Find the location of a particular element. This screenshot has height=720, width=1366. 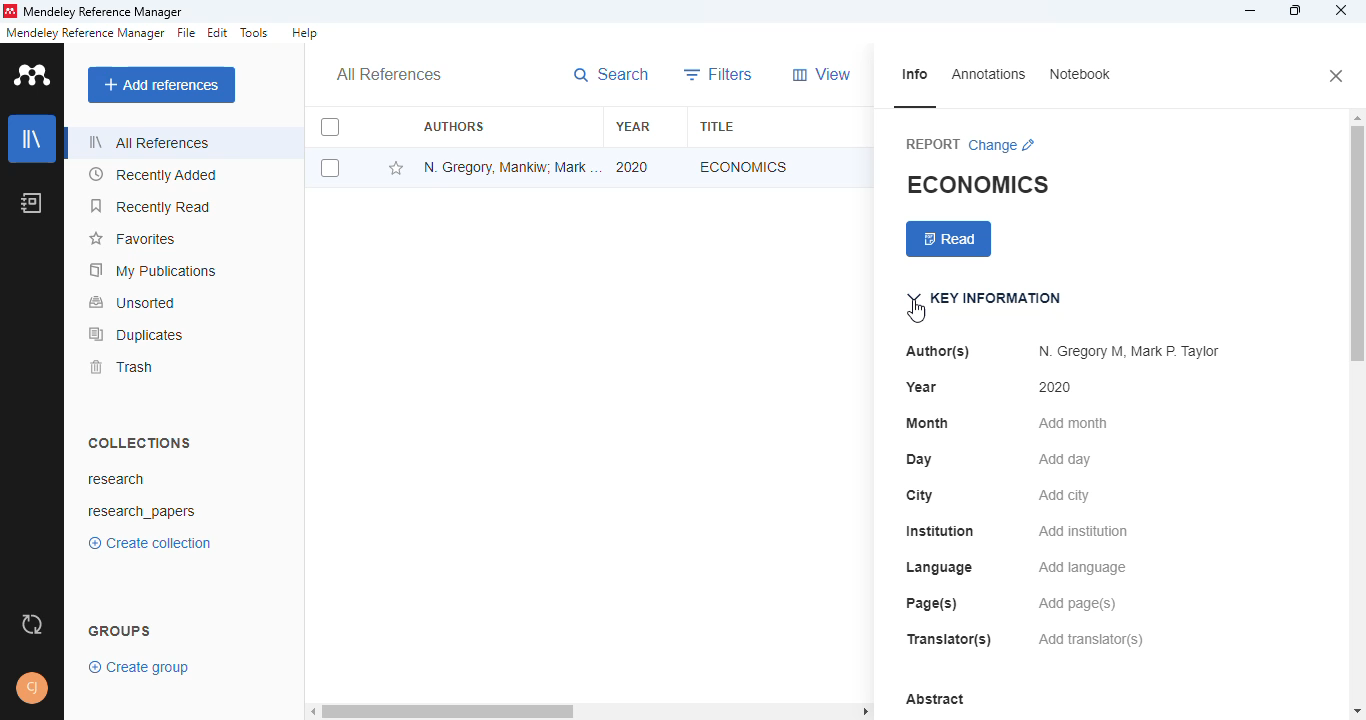

recently added is located at coordinates (151, 175).